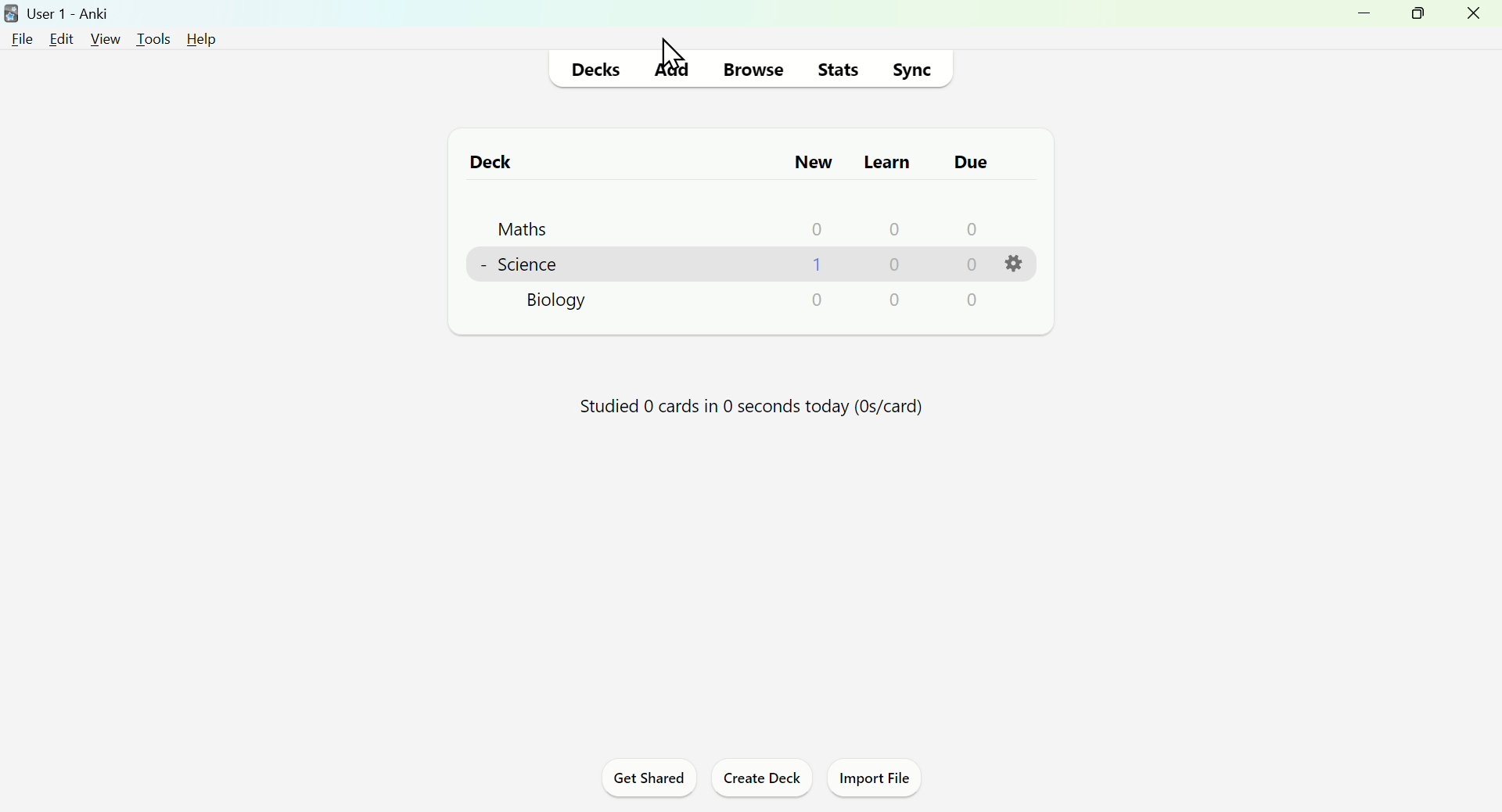  Describe the element at coordinates (873, 780) in the screenshot. I see `Import File` at that location.